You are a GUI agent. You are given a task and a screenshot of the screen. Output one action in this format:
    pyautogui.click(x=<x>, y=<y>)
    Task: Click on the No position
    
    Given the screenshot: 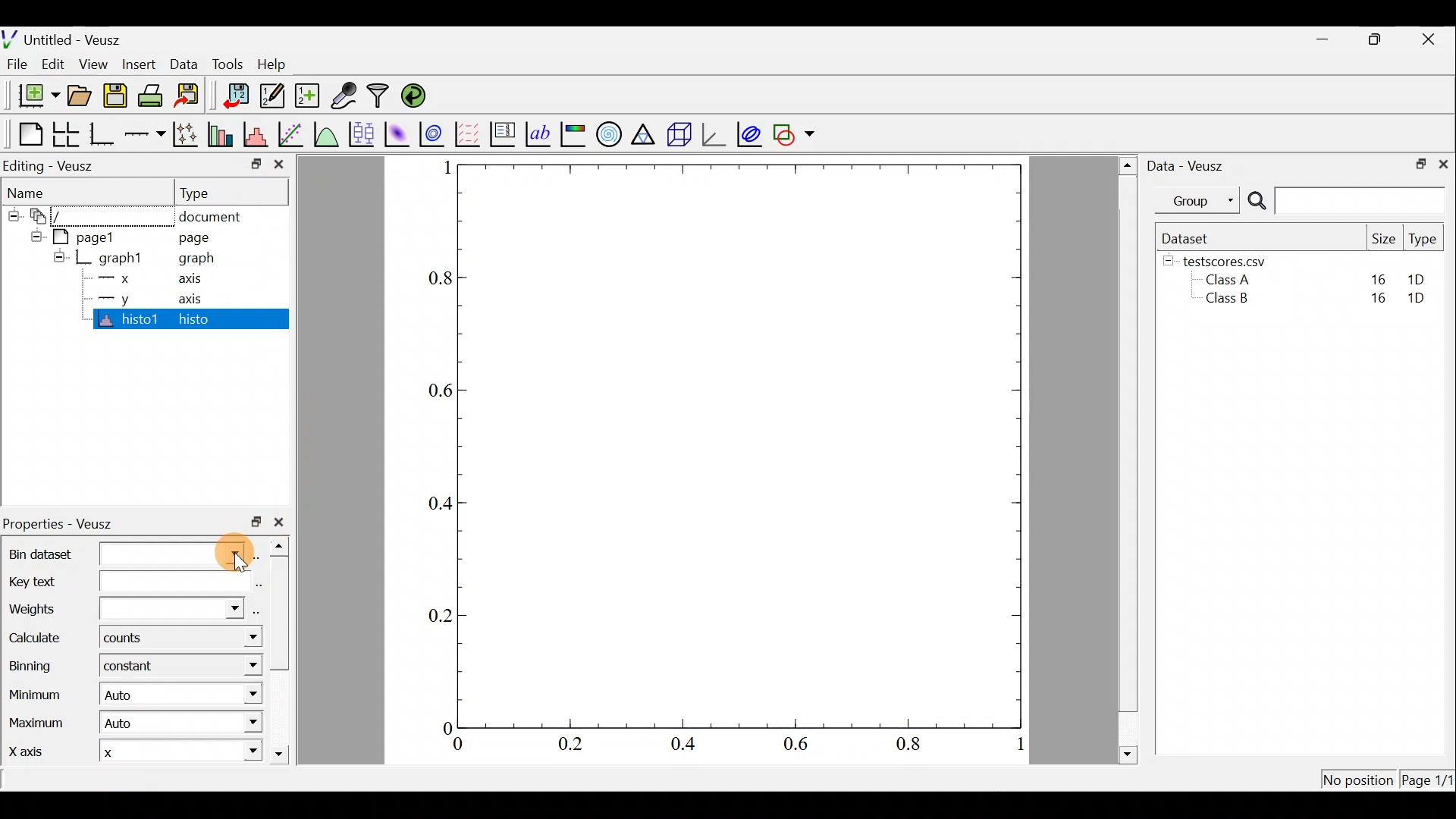 What is the action you would take?
    pyautogui.click(x=1357, y=777)
    